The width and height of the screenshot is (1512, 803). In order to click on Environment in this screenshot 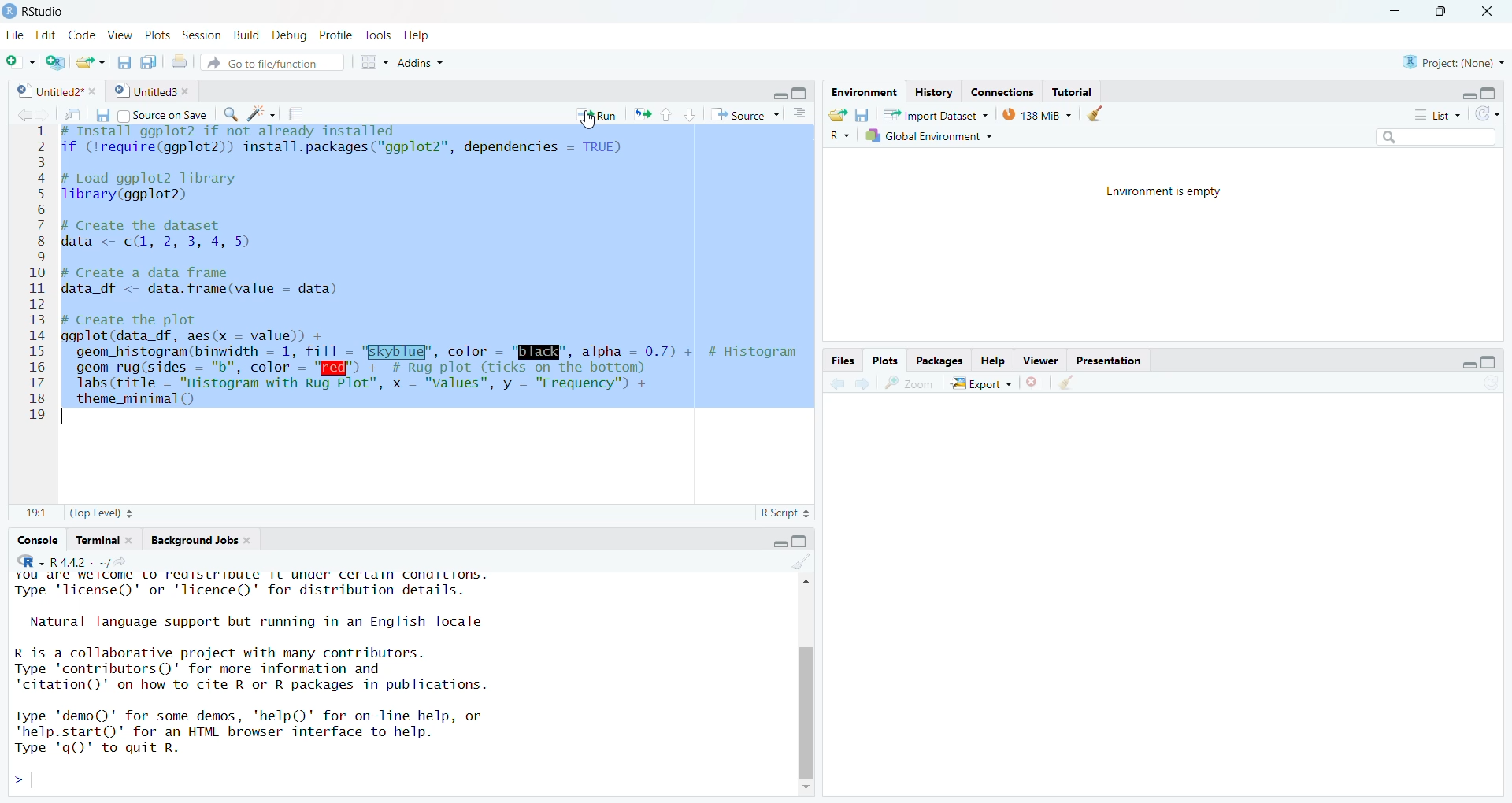, I will do `click(864, 90)`.